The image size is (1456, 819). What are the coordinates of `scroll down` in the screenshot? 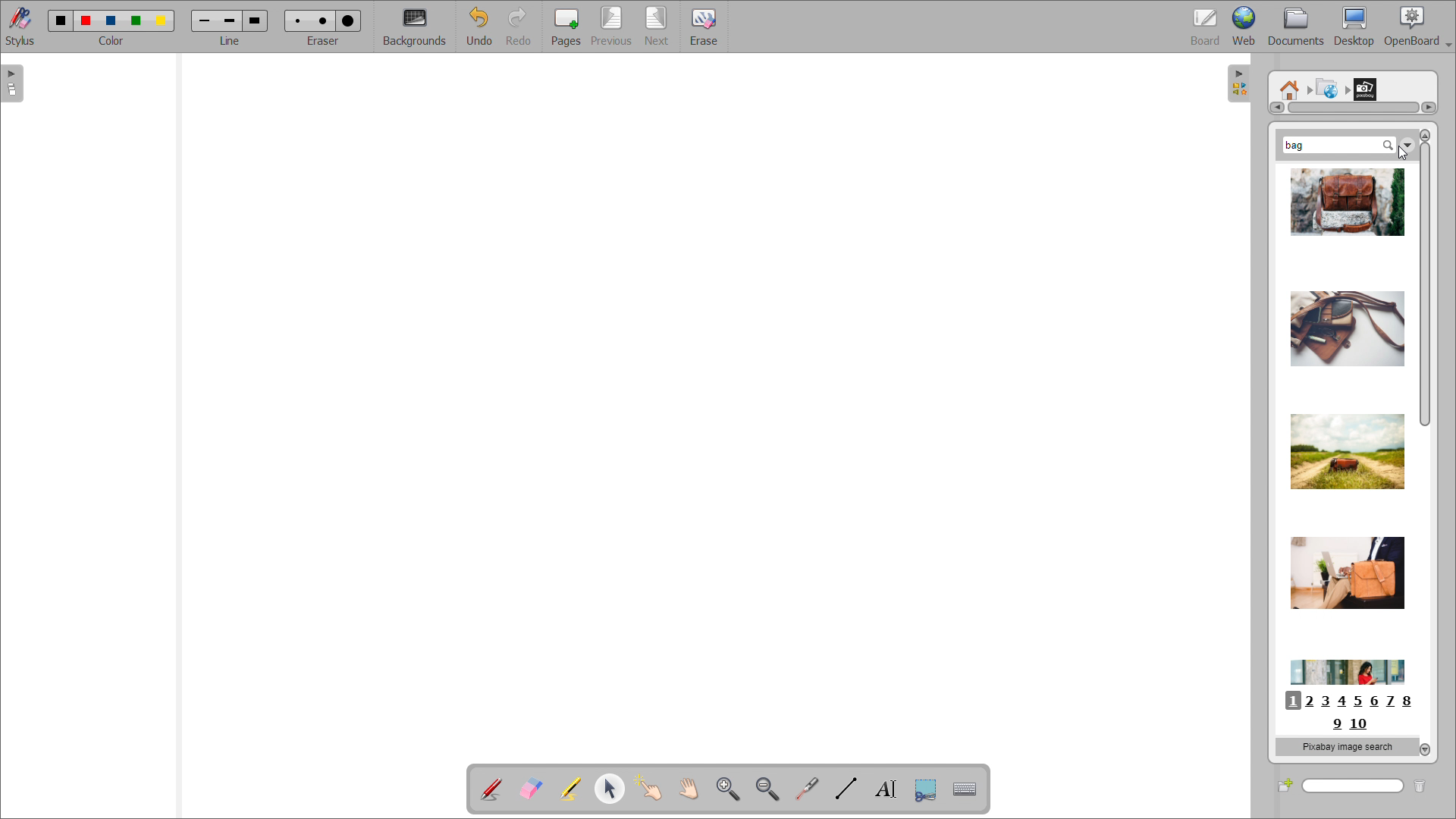 It's located at (1426, 749).